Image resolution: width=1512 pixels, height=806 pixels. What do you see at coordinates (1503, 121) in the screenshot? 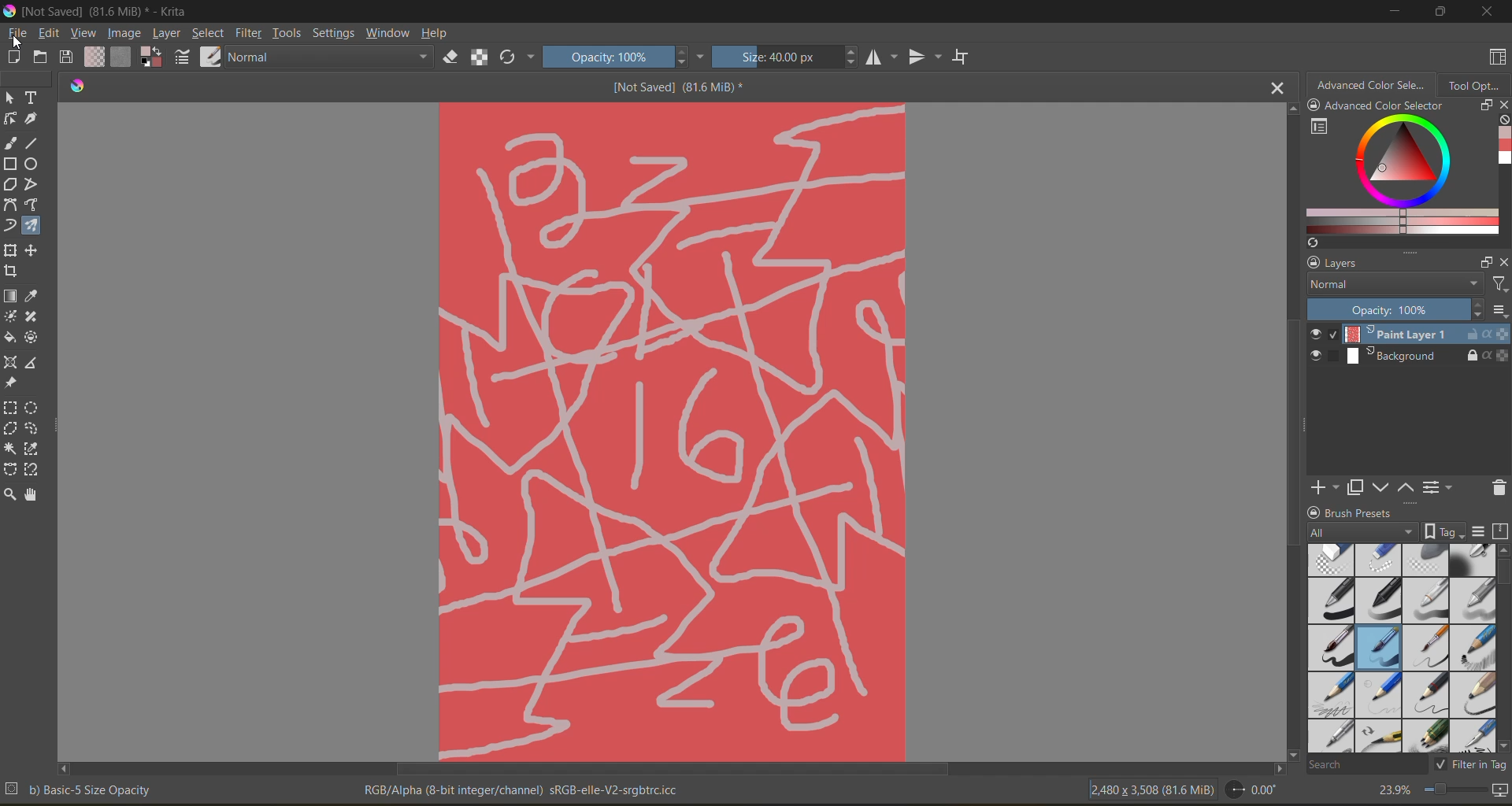
I see `clear all color history` at bounding box center [1503, 121].